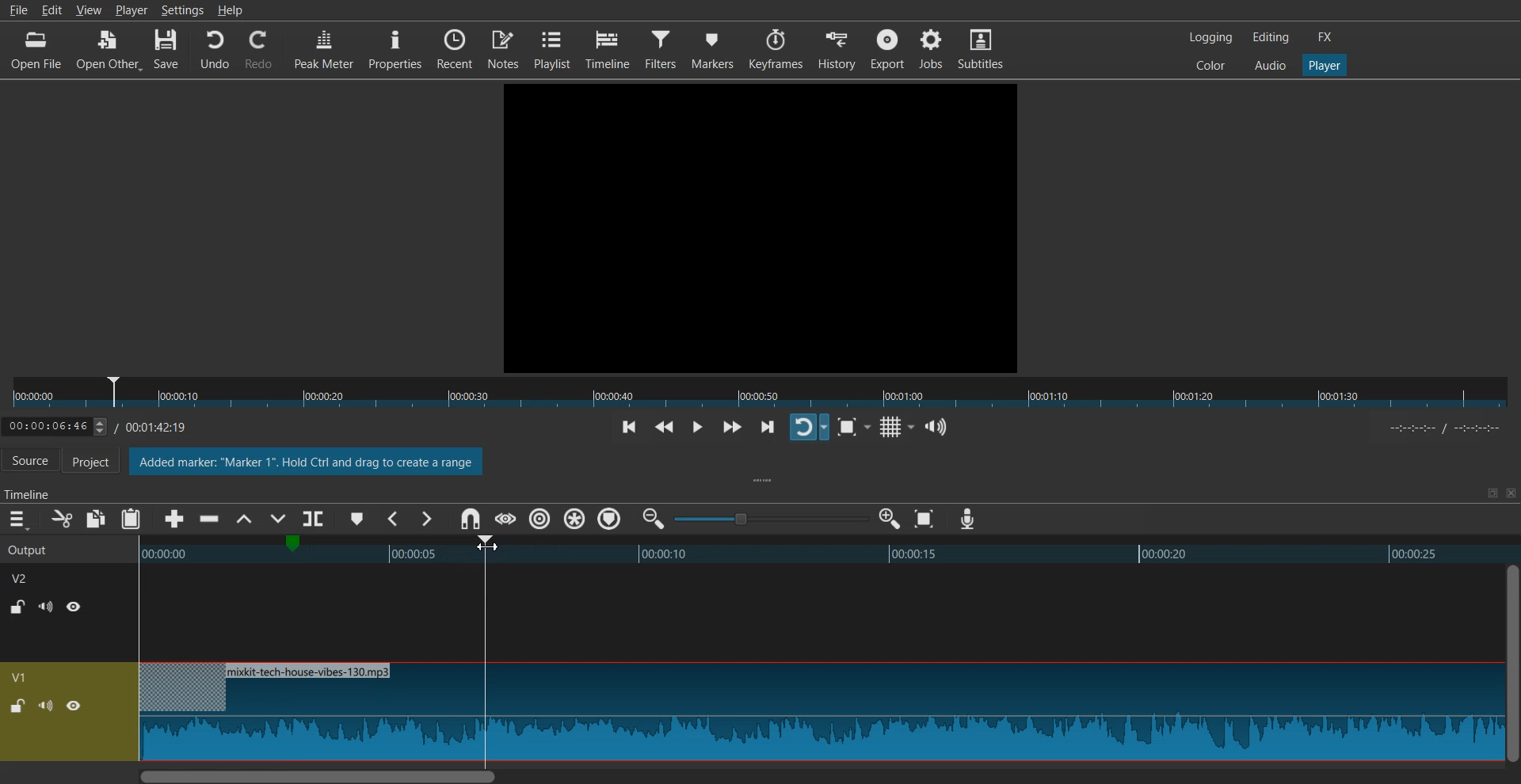  I want to click on Hide, so click(74, 606).